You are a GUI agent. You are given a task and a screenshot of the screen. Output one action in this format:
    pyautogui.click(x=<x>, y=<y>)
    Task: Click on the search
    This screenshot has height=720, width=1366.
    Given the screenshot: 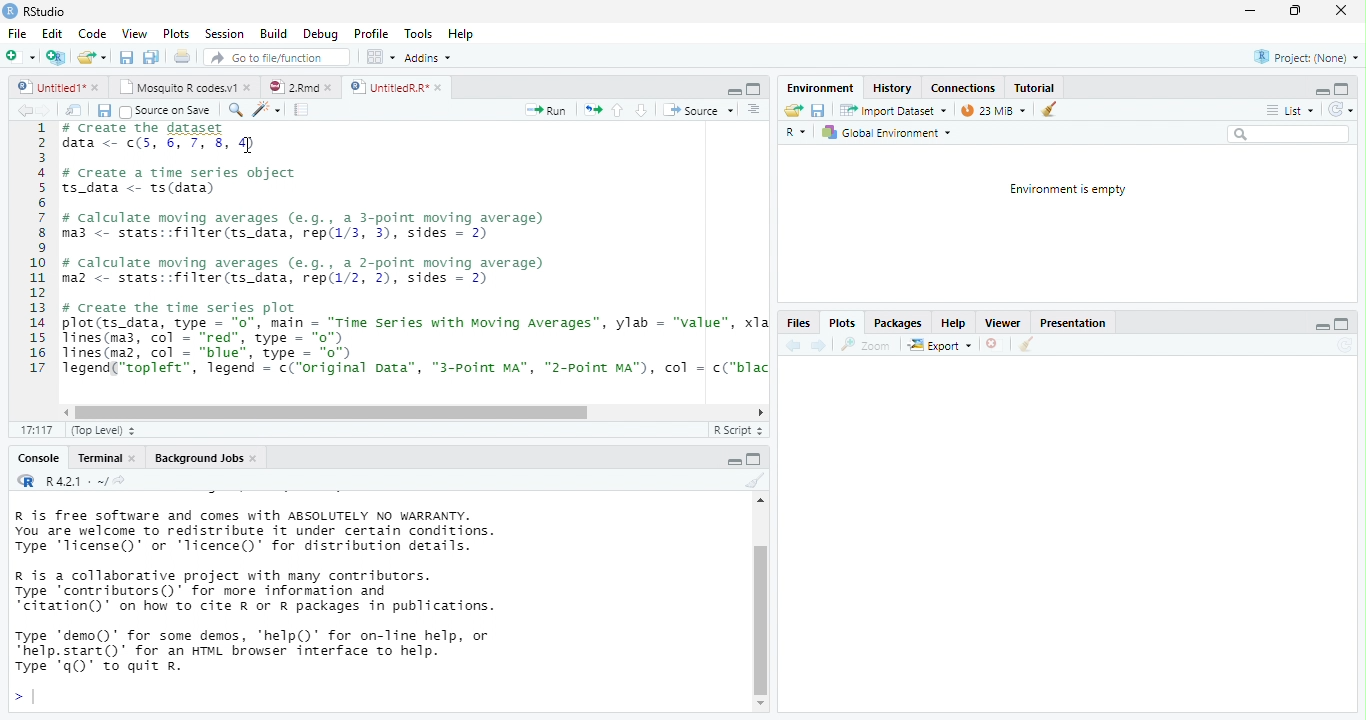 What is the action you would take?
    pyautogui.click(x=1288, y=134)
    